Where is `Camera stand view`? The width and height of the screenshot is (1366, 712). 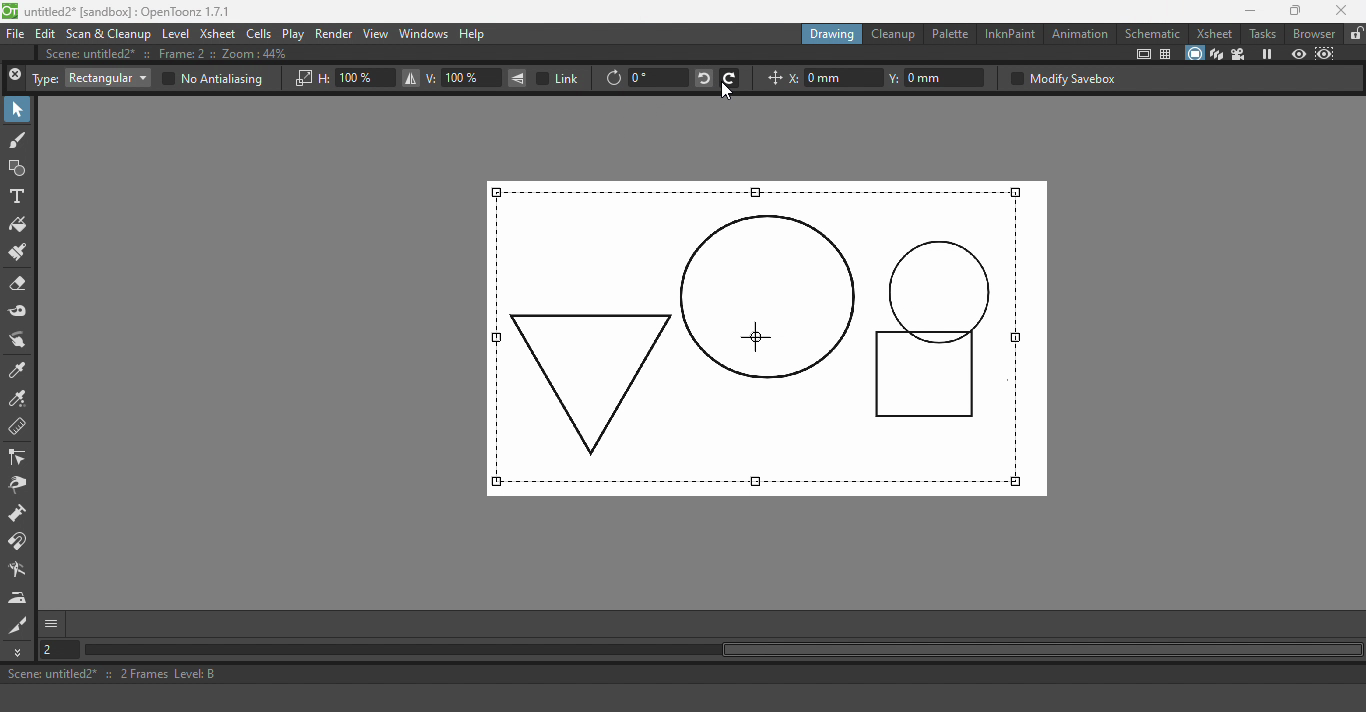 Camera stand view is located at coordinates (1193, 53).